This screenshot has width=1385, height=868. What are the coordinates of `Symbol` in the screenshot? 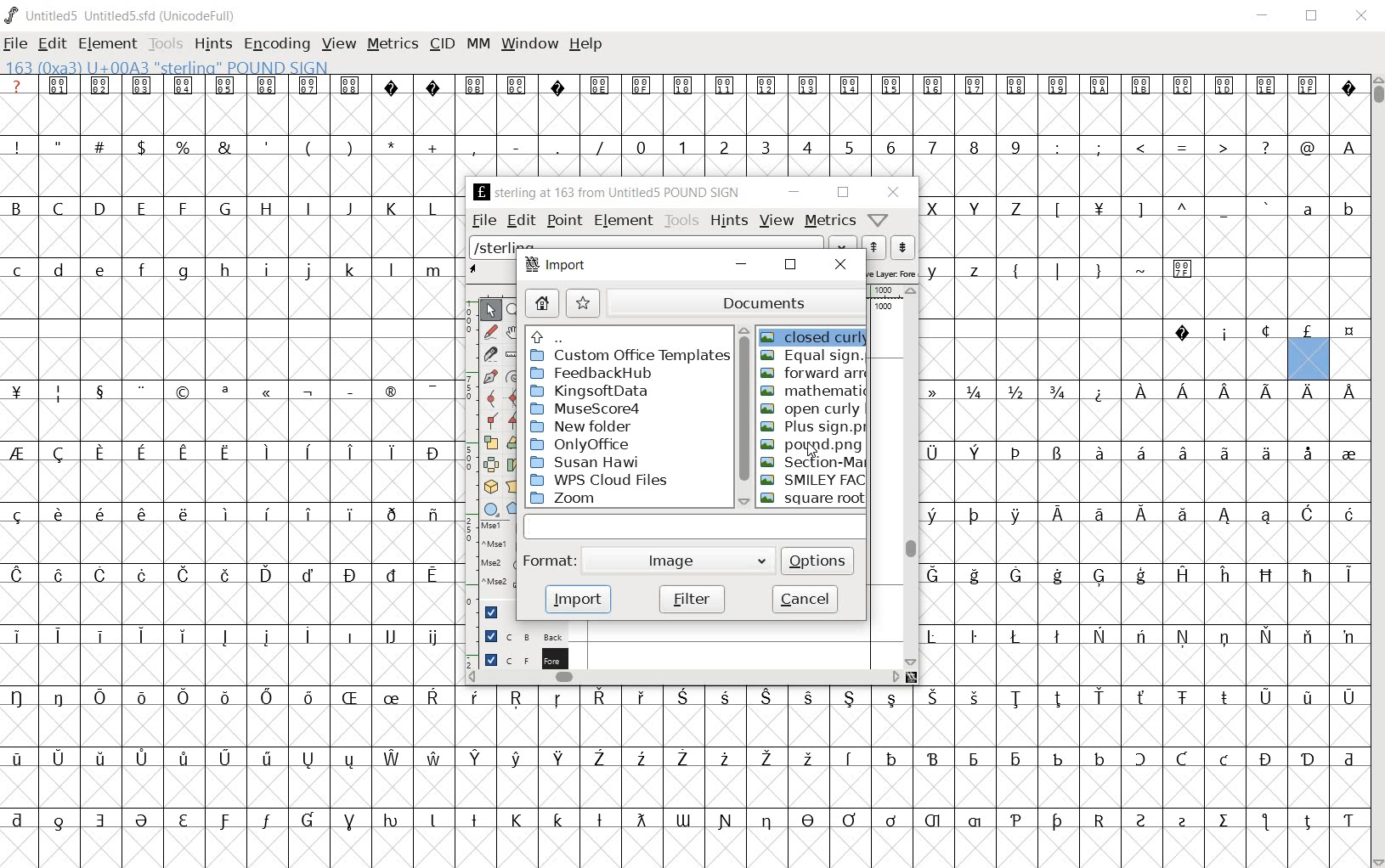 It's located at (935, 86).